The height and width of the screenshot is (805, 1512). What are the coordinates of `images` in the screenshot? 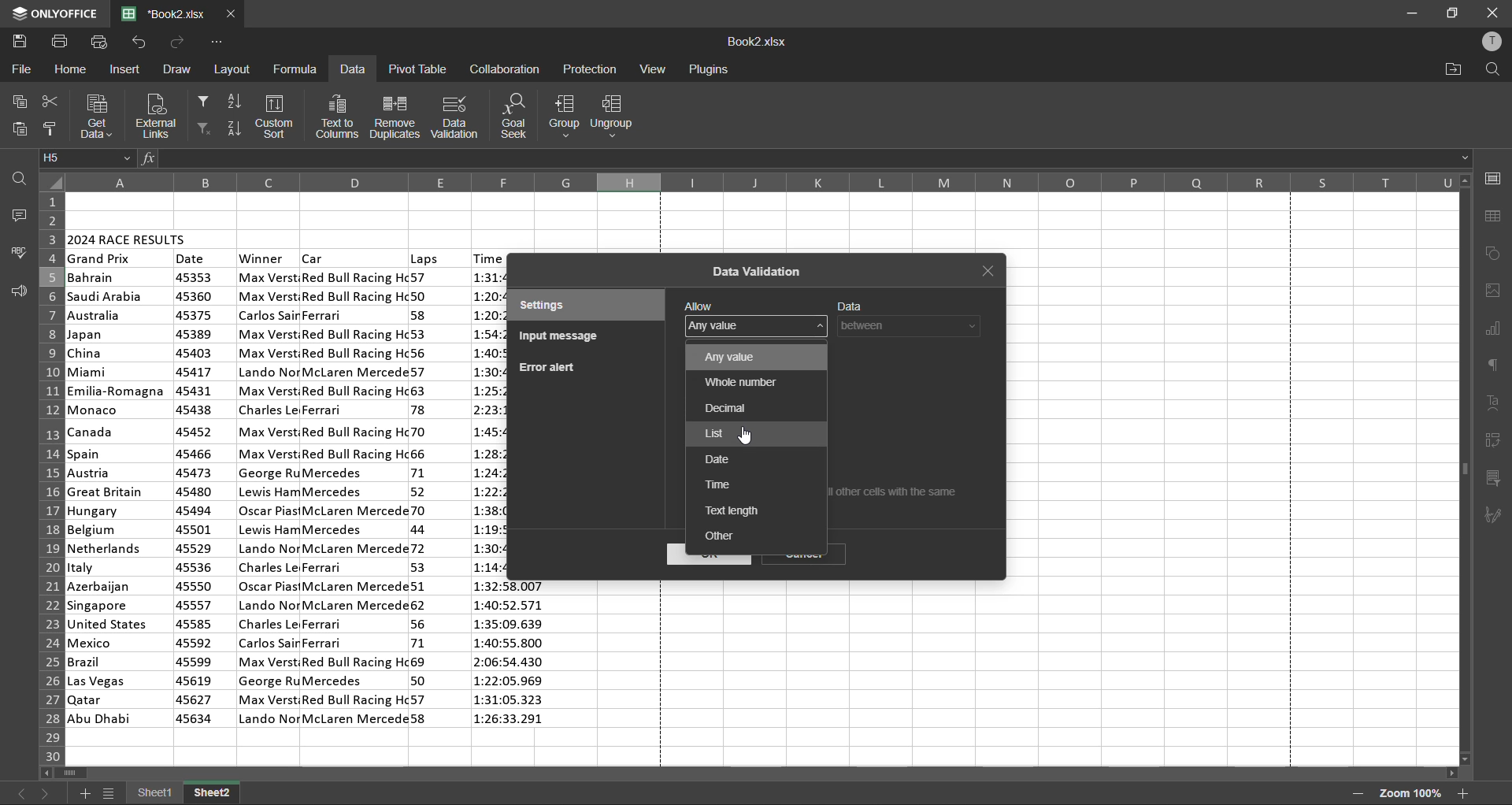 It's located at (1494, 291).